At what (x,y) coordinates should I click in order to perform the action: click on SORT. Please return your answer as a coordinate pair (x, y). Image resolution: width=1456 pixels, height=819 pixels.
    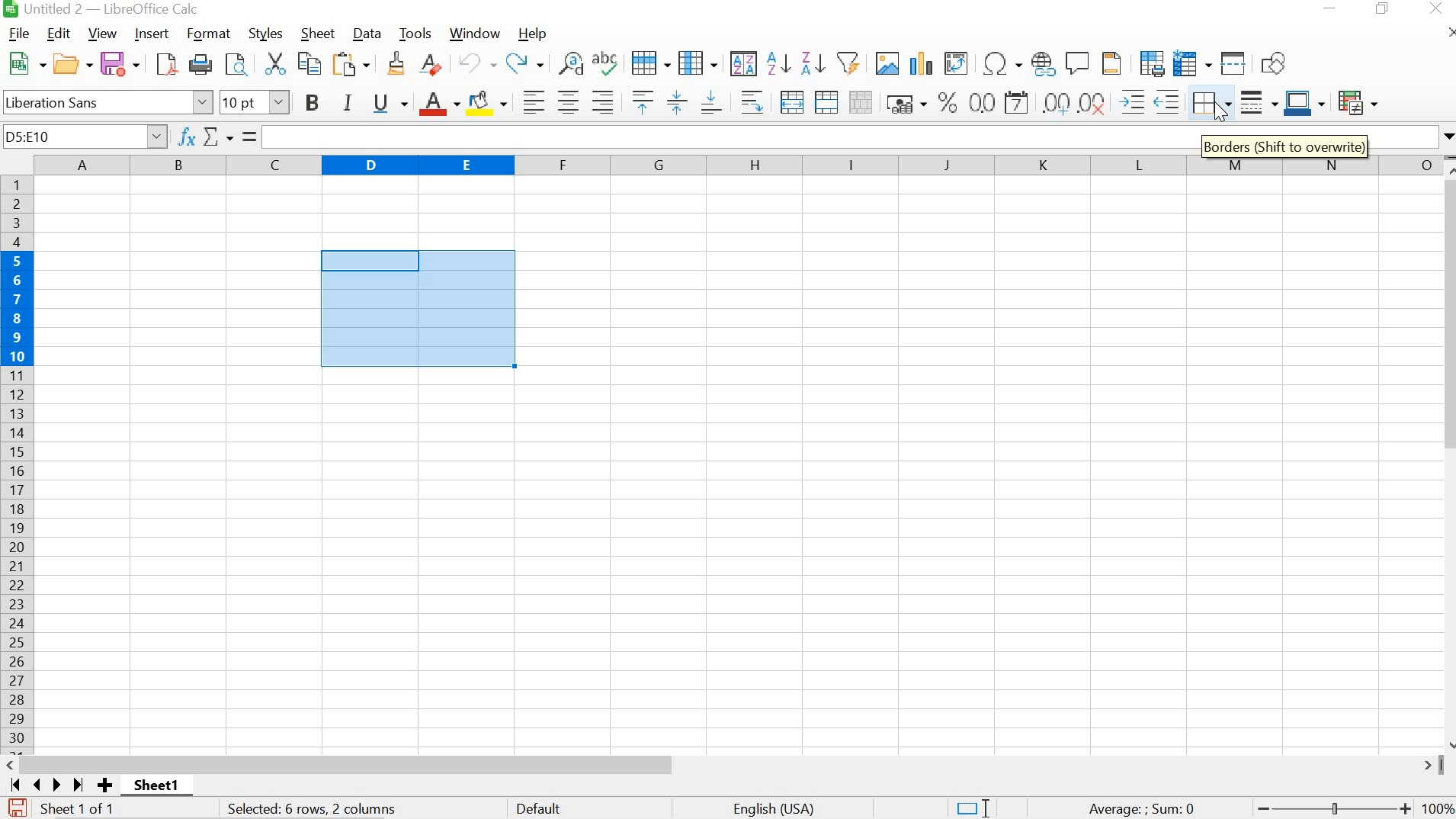
    Looking at the image, I should click on (743, 64).